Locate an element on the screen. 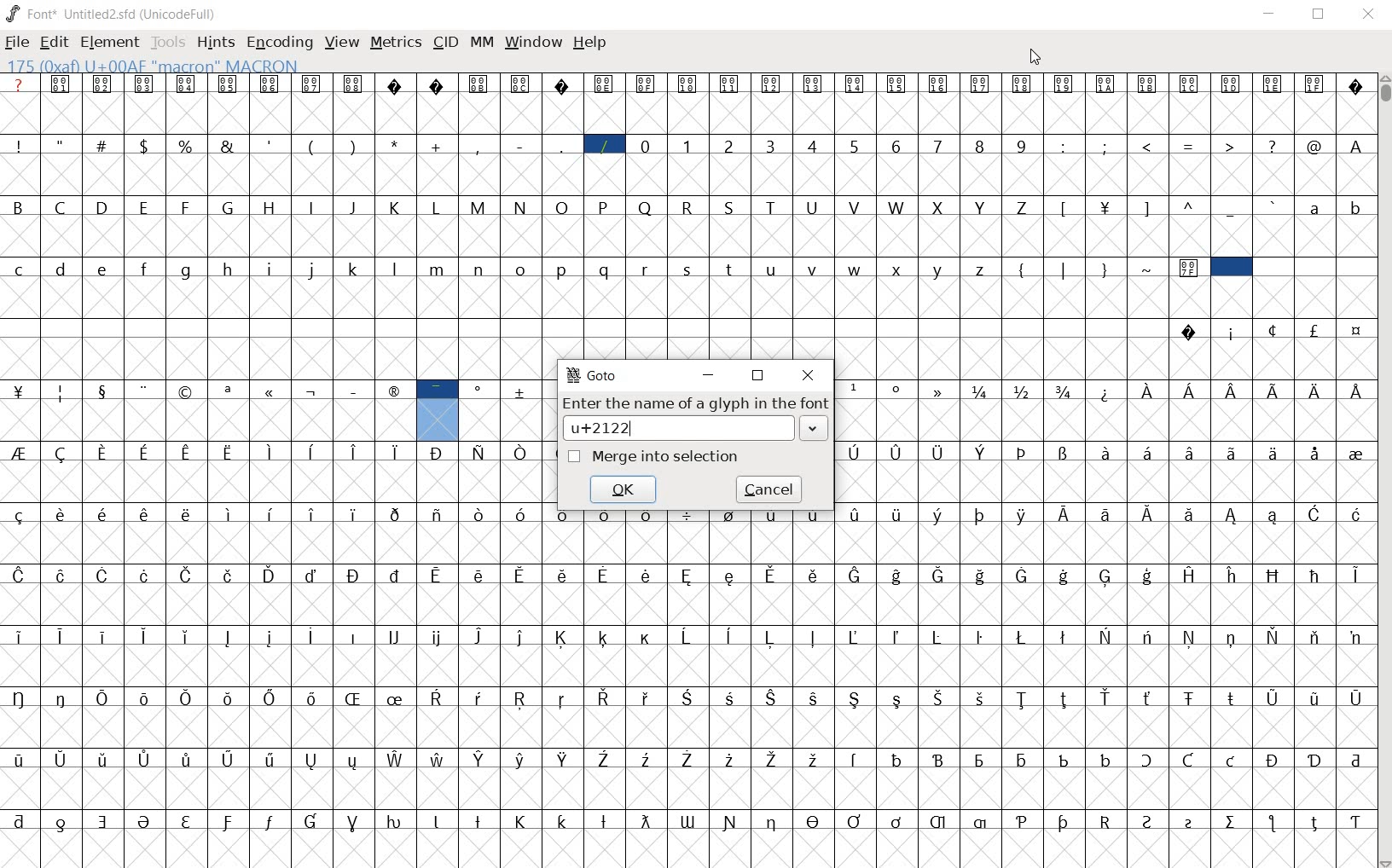 The width and height of the screenshot is (1392, 868). Latin extended characters is located at coordinates (193, 656).